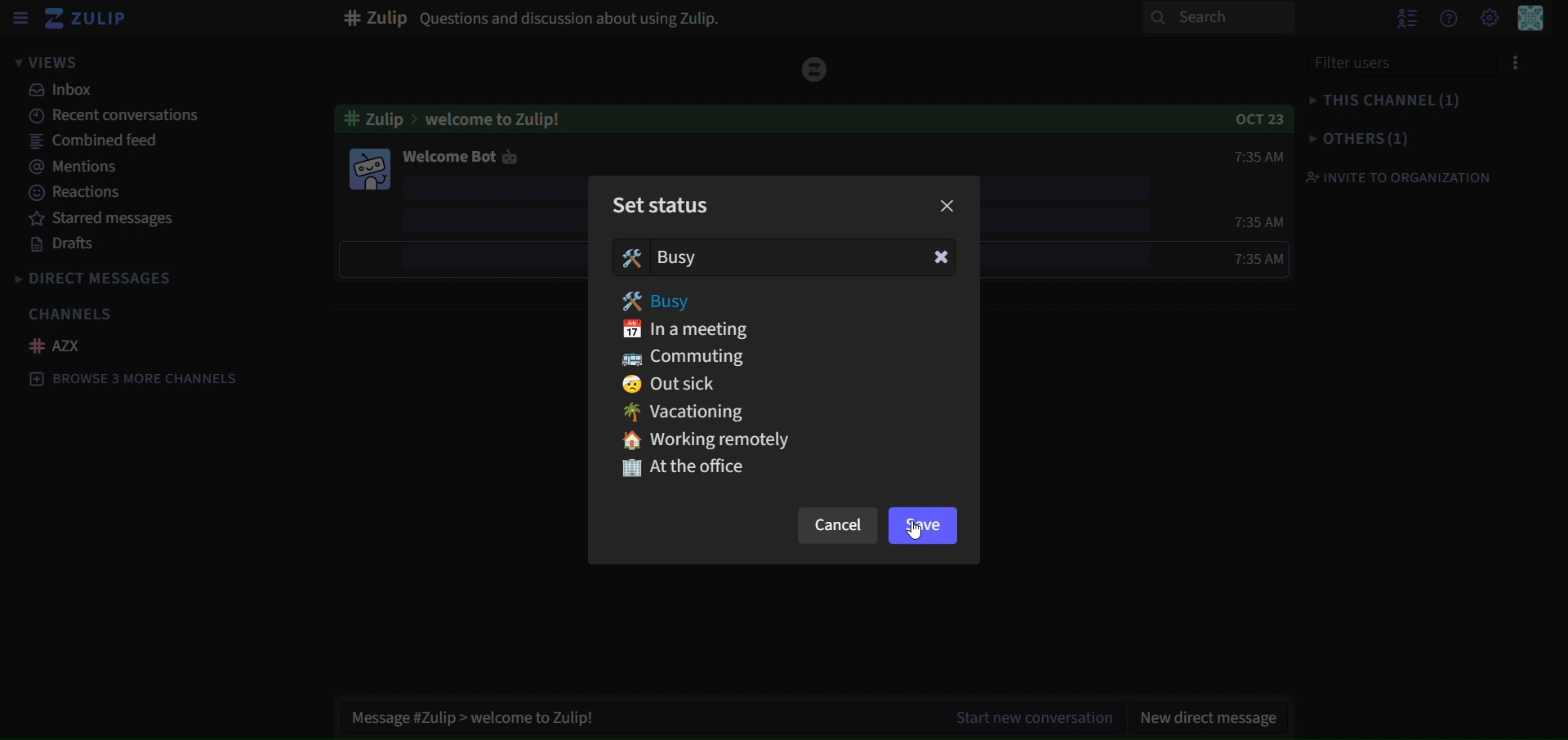 This screenshot has height=740, width=1568. Describe the element at coordinates (1383, 99) in the screenshot. I see `this channel` at that location.